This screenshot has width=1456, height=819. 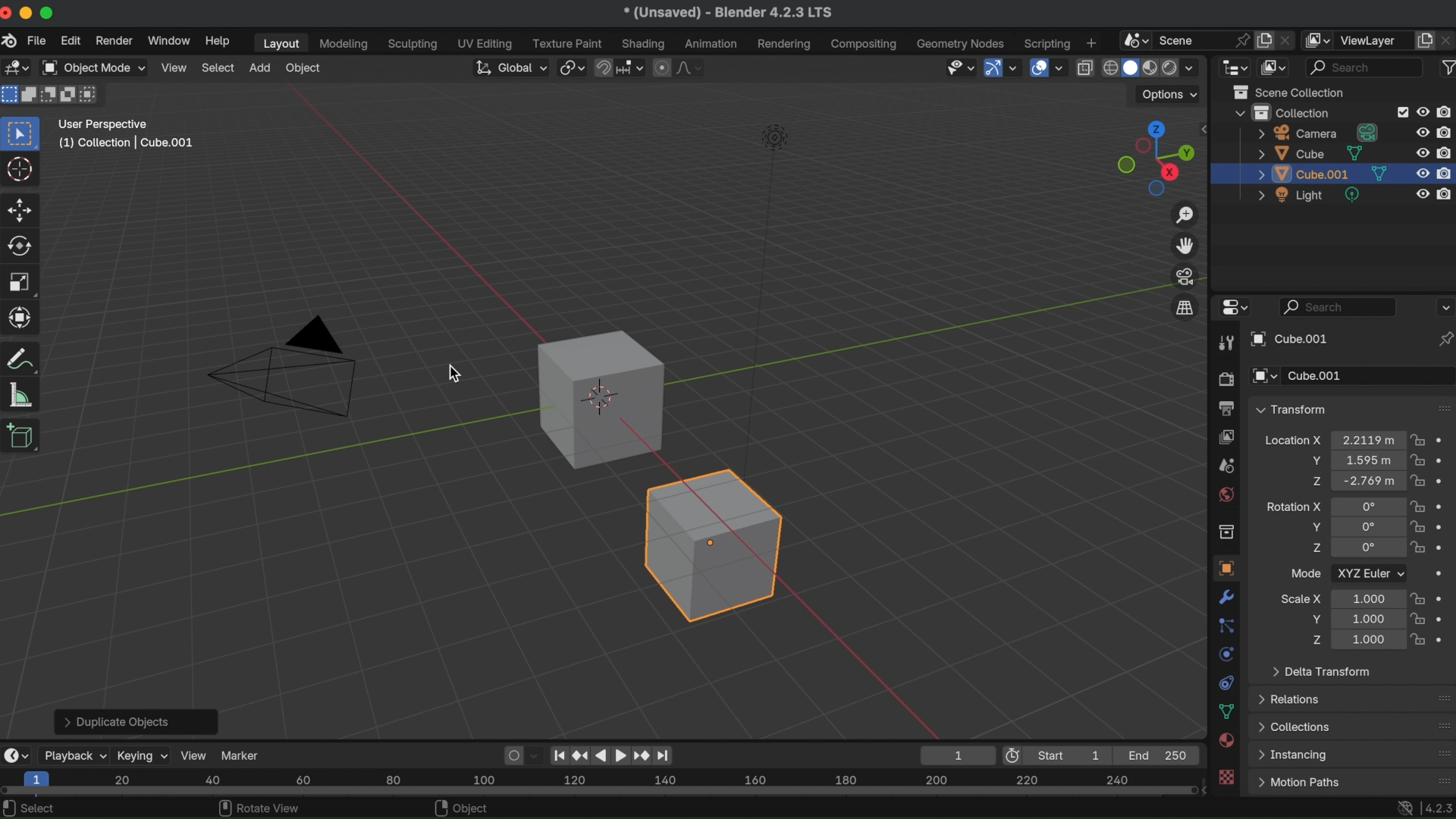 I want to click on file, so click(x=36, y=41).